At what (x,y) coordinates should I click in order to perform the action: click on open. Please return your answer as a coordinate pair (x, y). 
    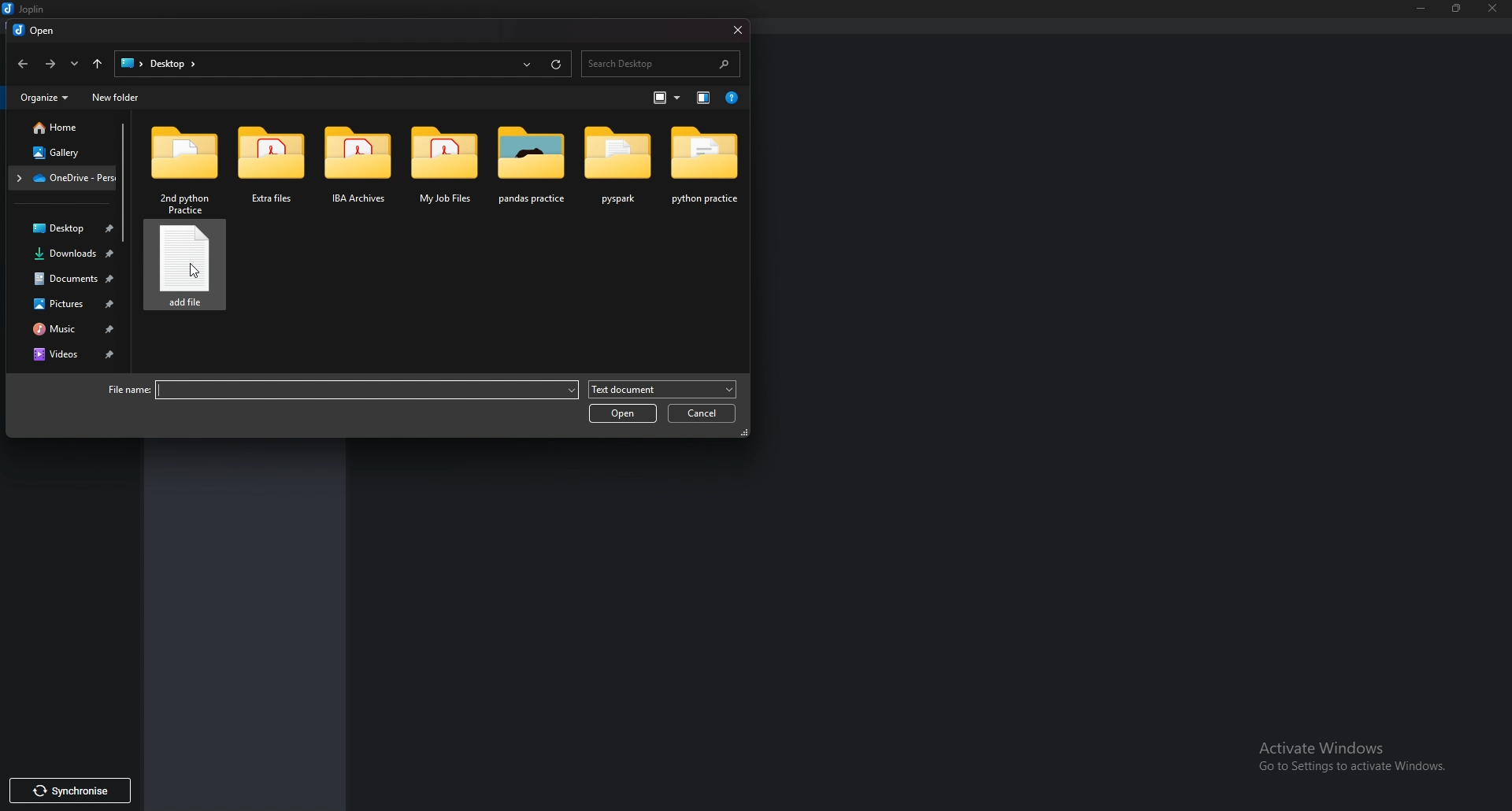
    Looking at the image, I should click on (622, 413).